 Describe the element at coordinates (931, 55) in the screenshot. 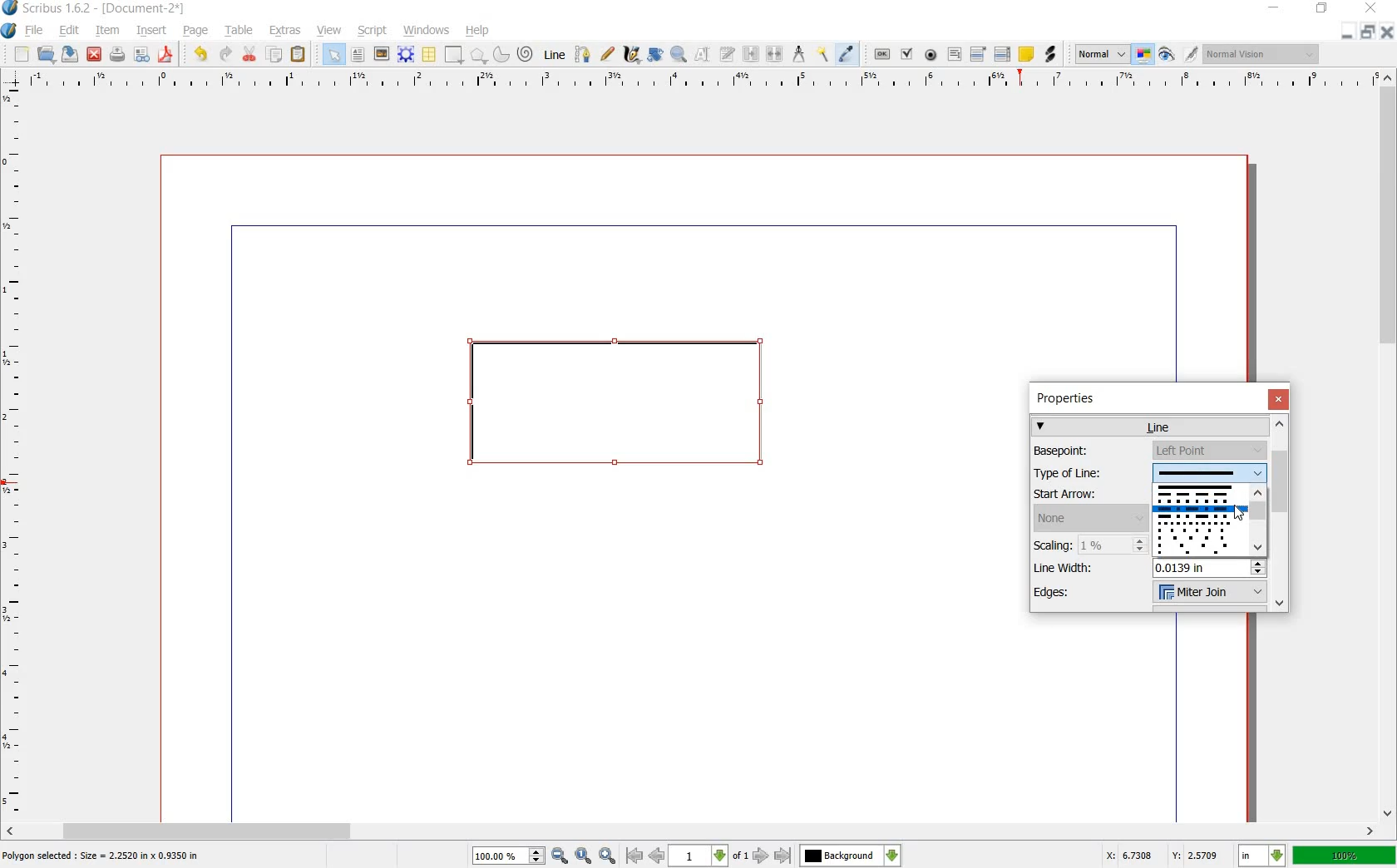

I see `PDF RADIO BUTTON` at that location.